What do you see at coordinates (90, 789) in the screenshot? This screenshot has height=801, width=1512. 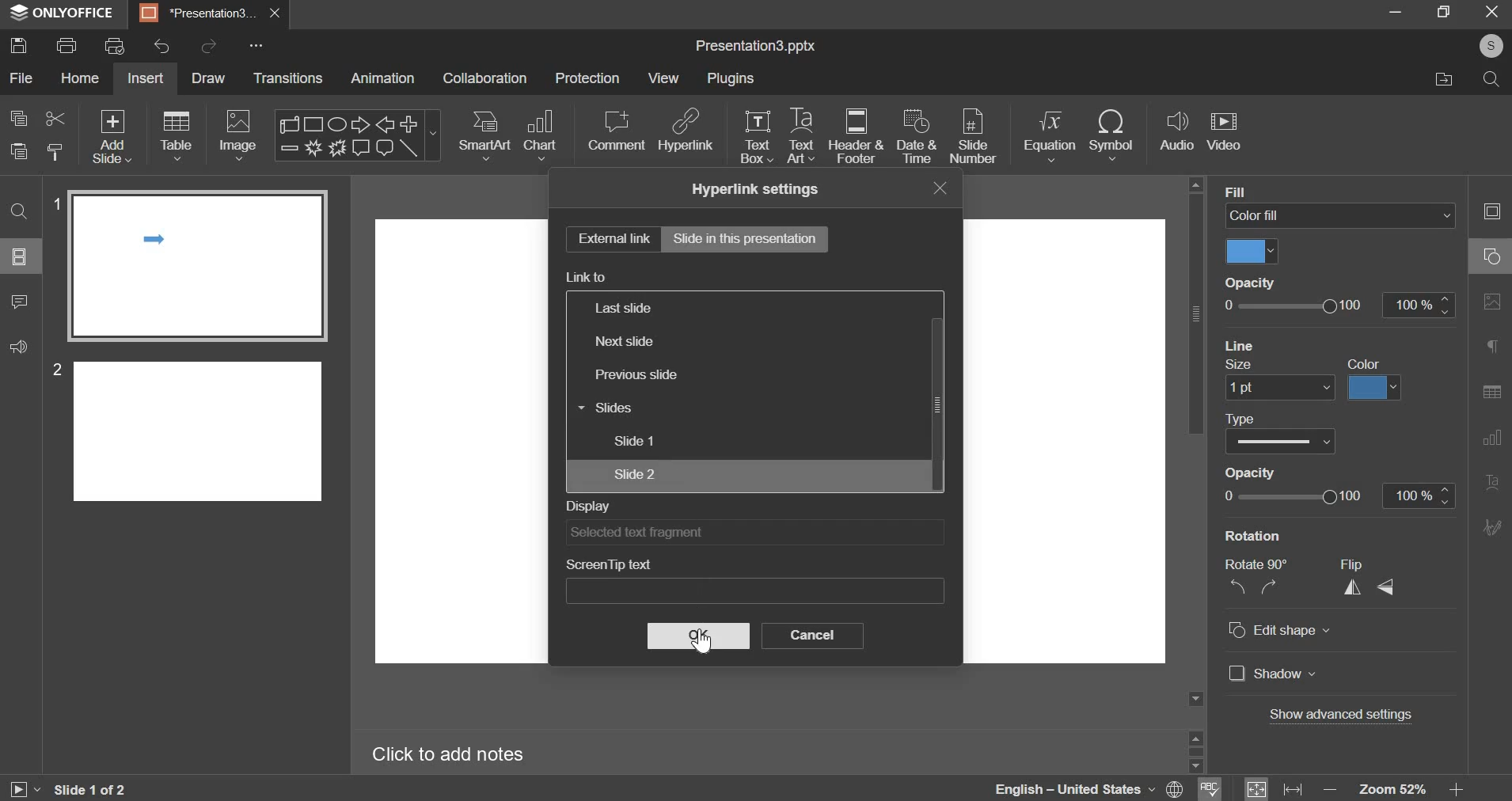 I see `active slide out of total slides` at bounding box center [90, 789].